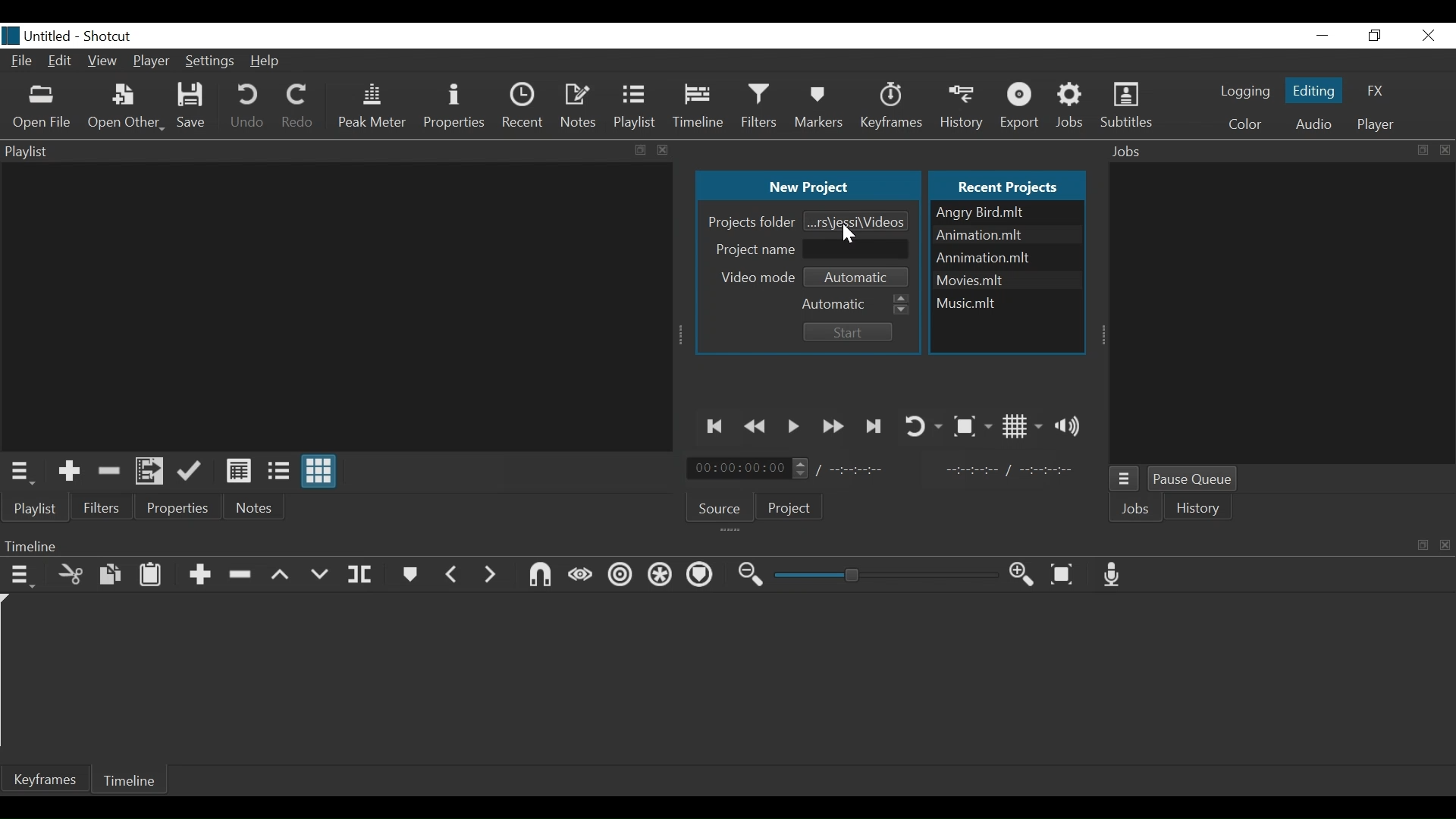 The width and height of the screenshot is (1456, 819). Describe the element at coordinates (1138, 510) in the screenshot. I see `Jobs` at that location.